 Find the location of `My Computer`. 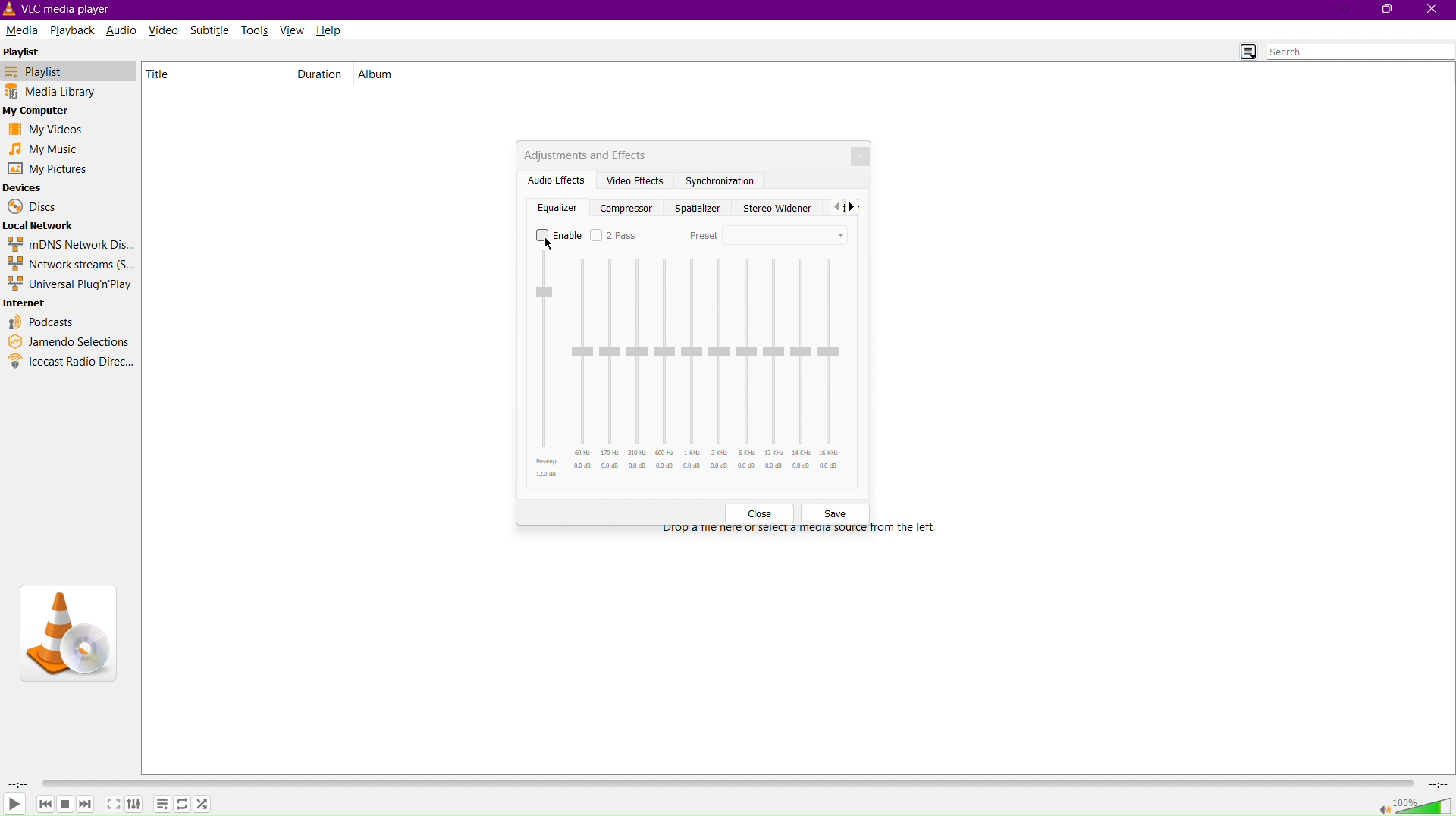

My Computer is located at coordinates (45, 112).